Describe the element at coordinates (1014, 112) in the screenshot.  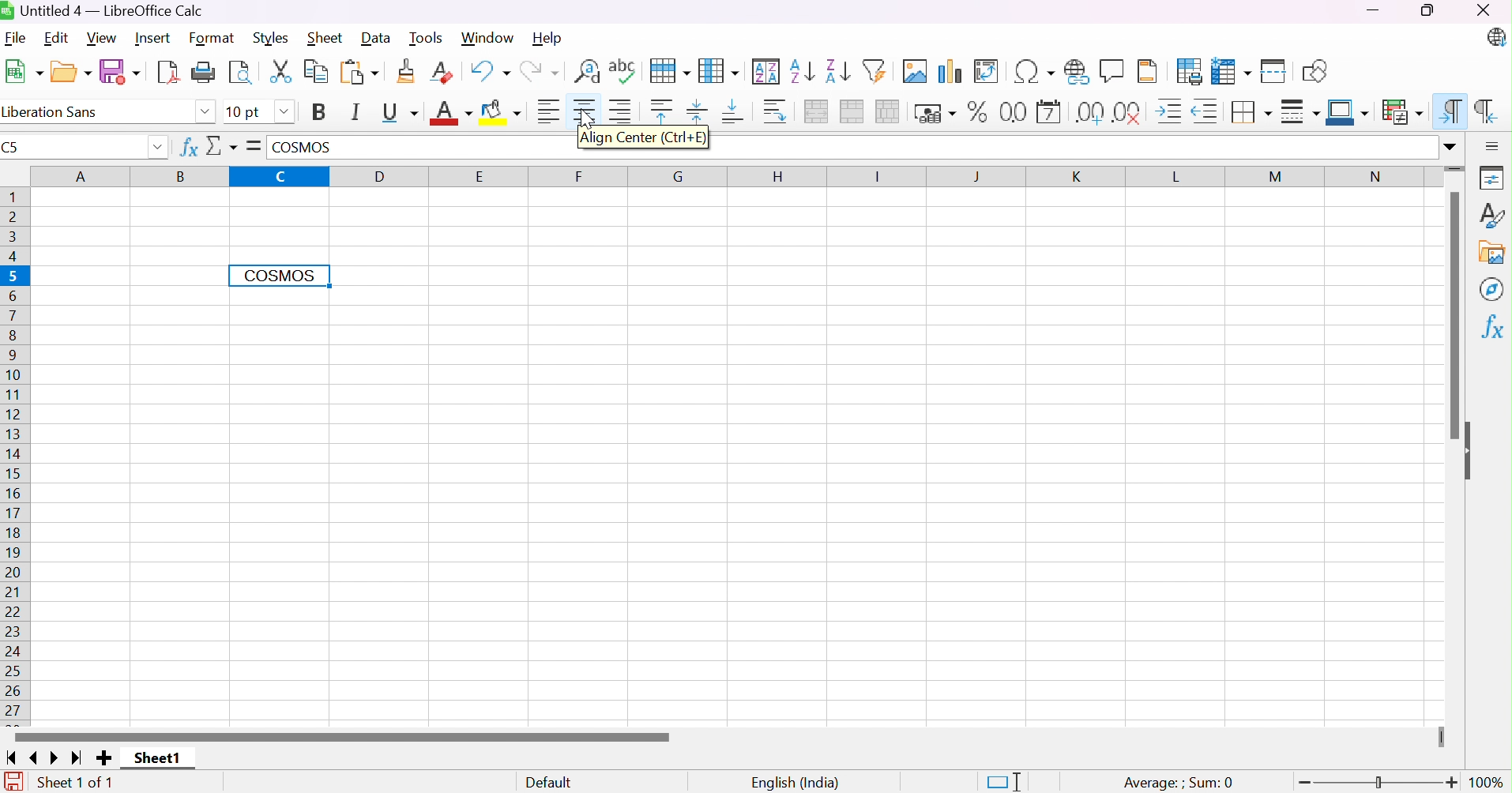
I see `Format as Number` at that location.